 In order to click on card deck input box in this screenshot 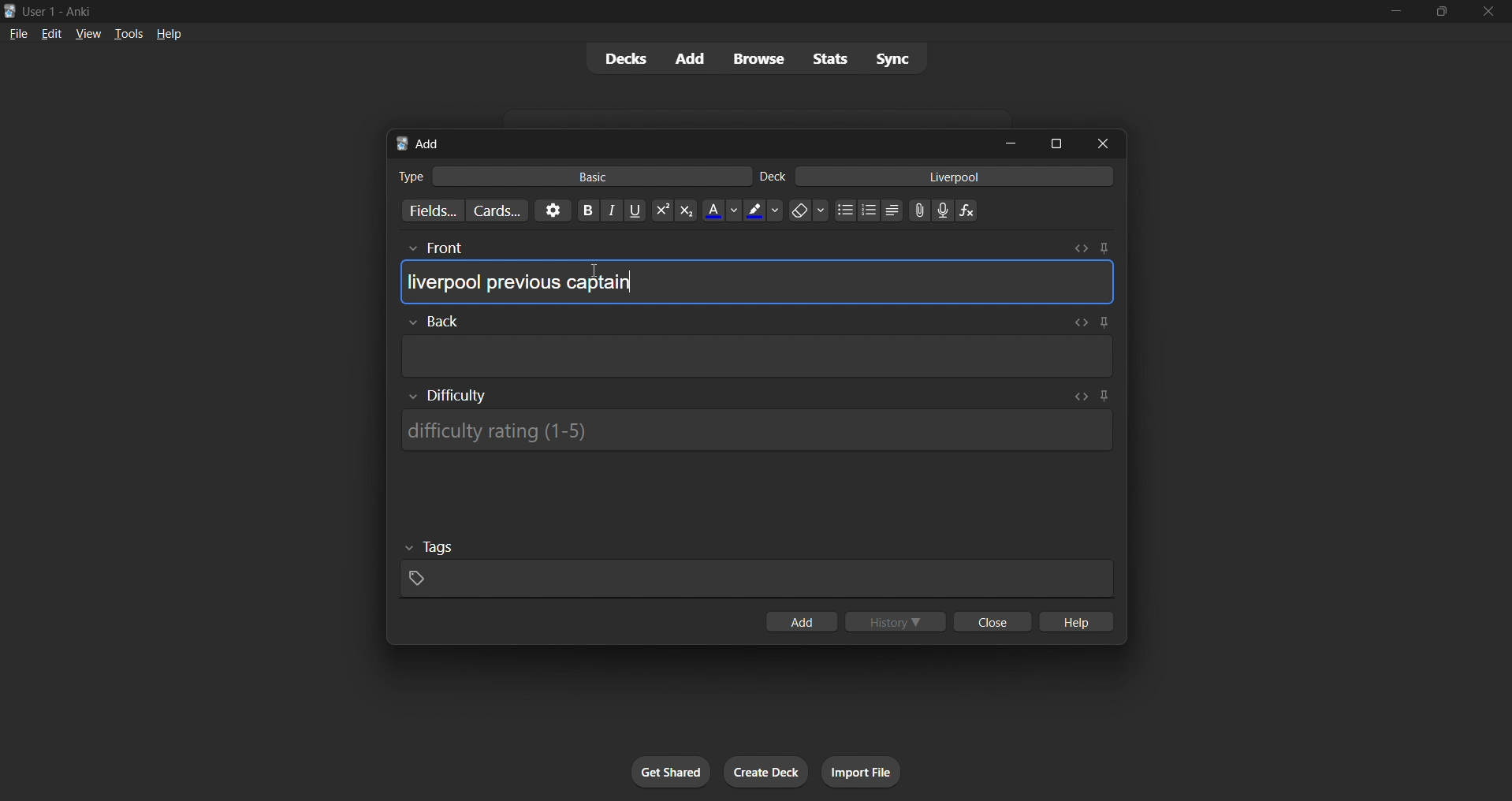, I will do `click(940, 179)`.